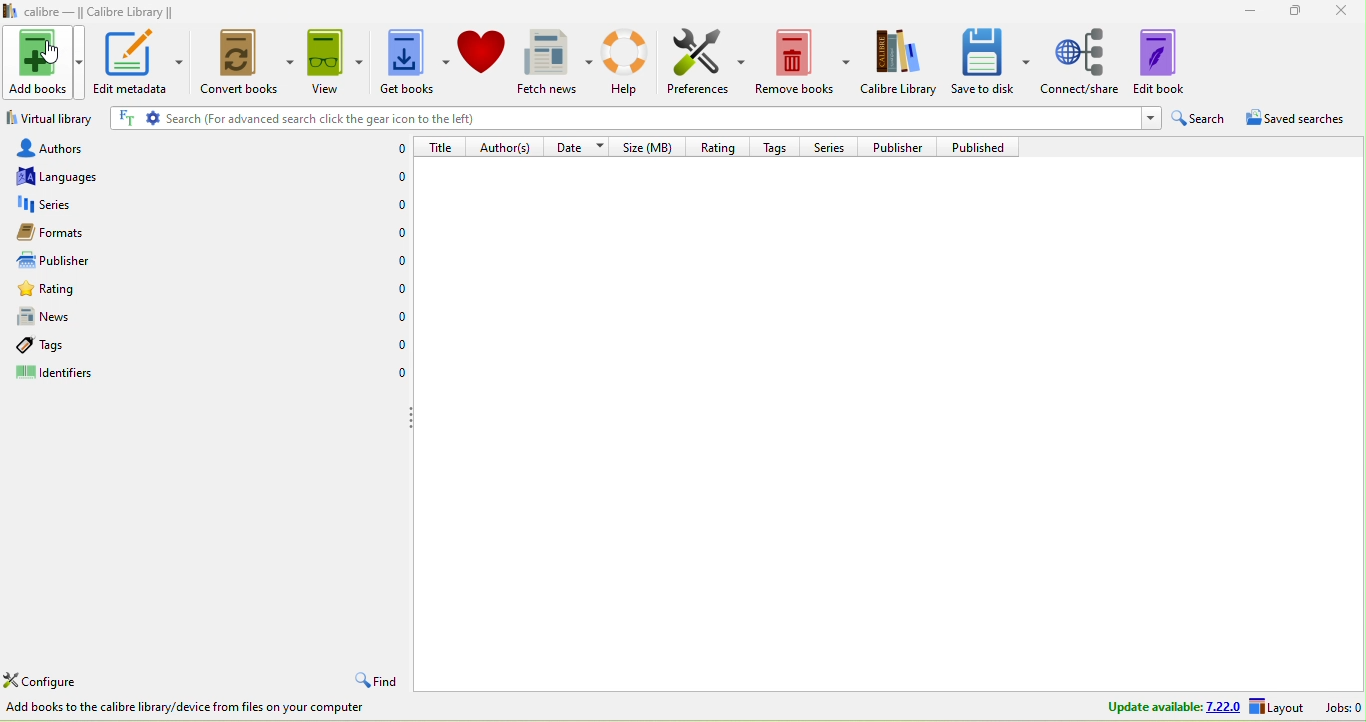  What do you see at coordinates (247, 63) in the screenshot?
I see `convert books` at bounding box center [247, 63].